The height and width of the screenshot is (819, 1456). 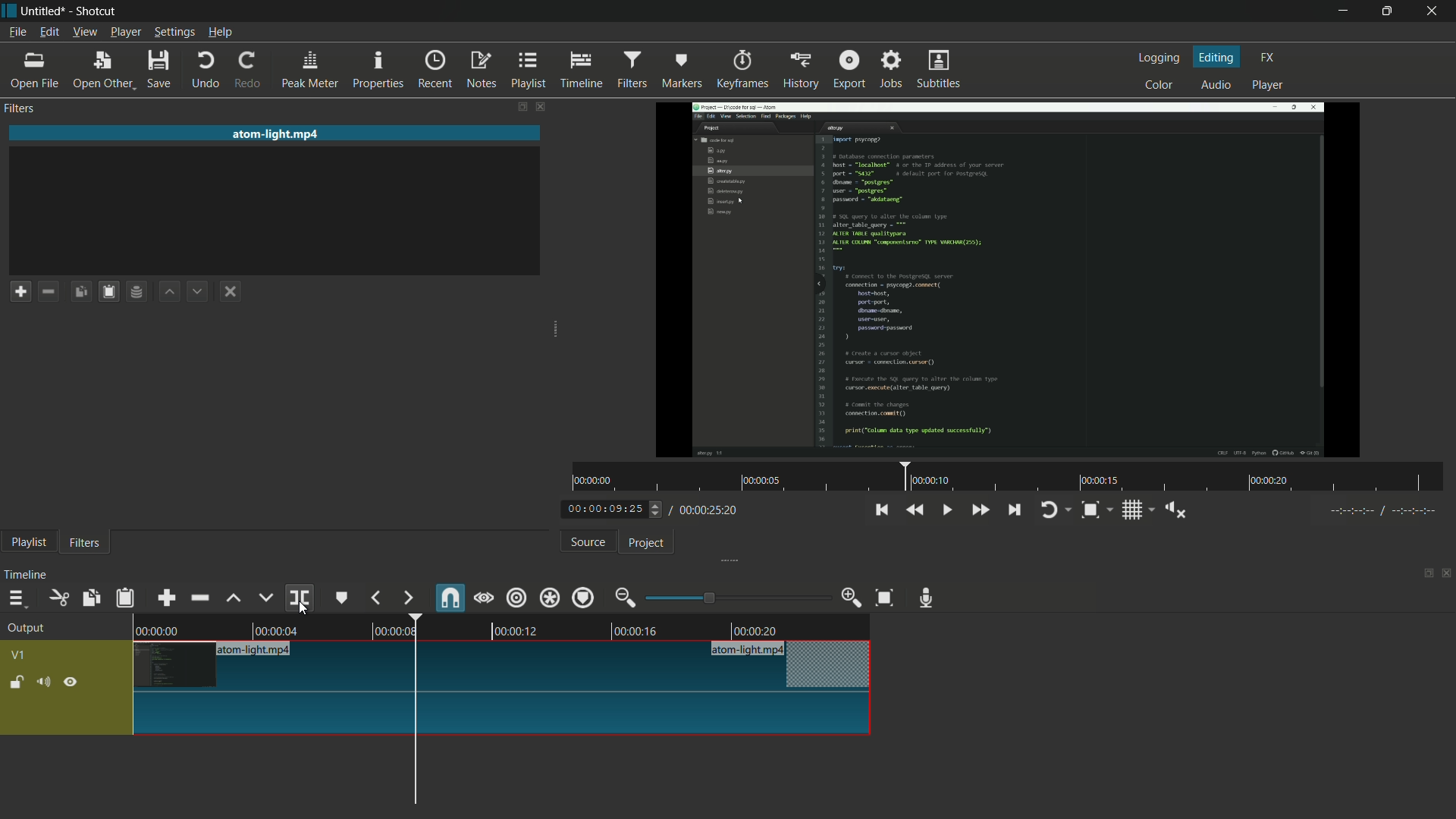 I want to click on undo, so click(x=206, y=71).